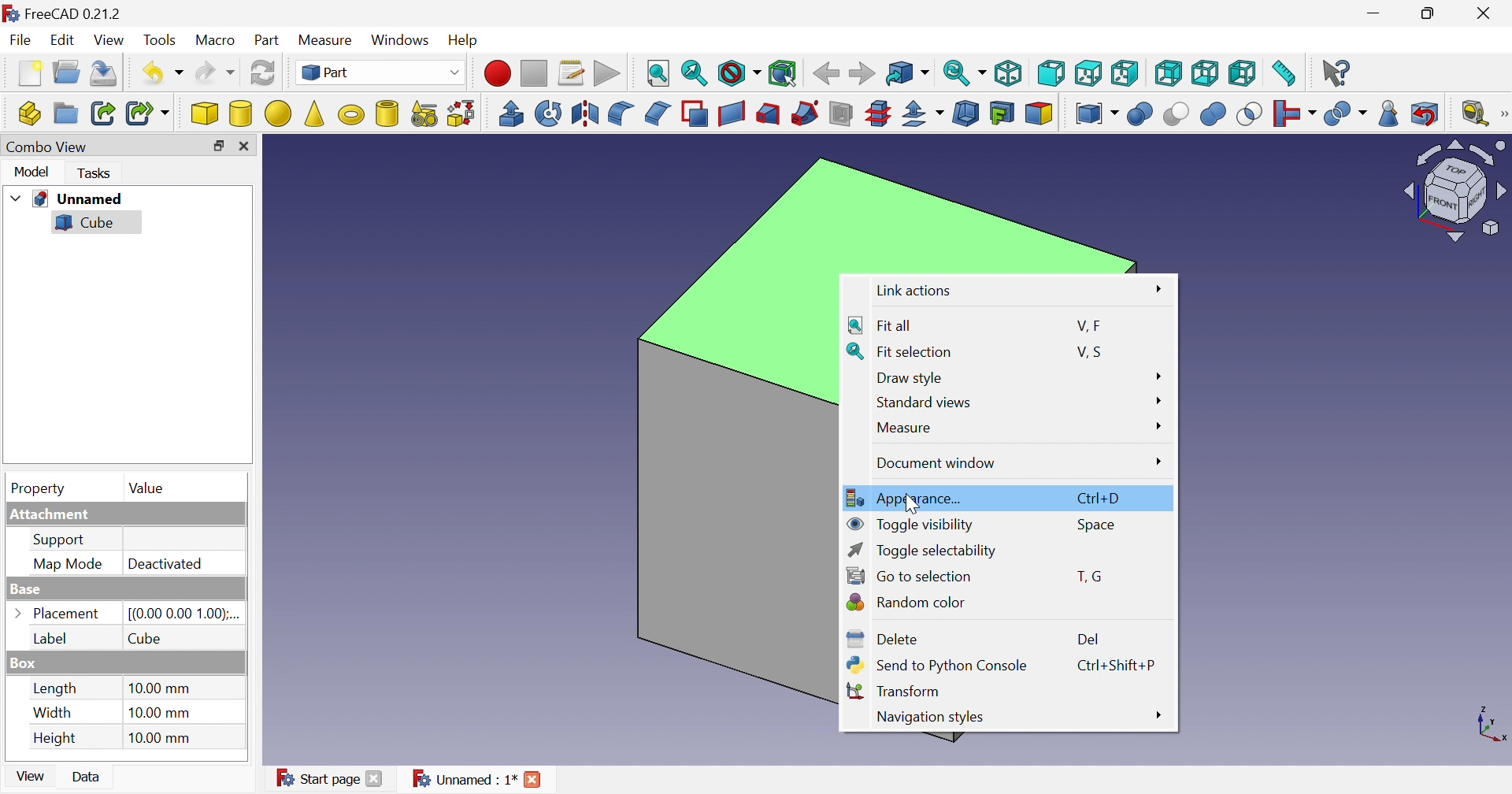 The width and height of the screenshot is (1512, 794). What do you see at coordinates (806, 113) in the screenshot?
I see `Sweep` at bounding box center [806, 113].